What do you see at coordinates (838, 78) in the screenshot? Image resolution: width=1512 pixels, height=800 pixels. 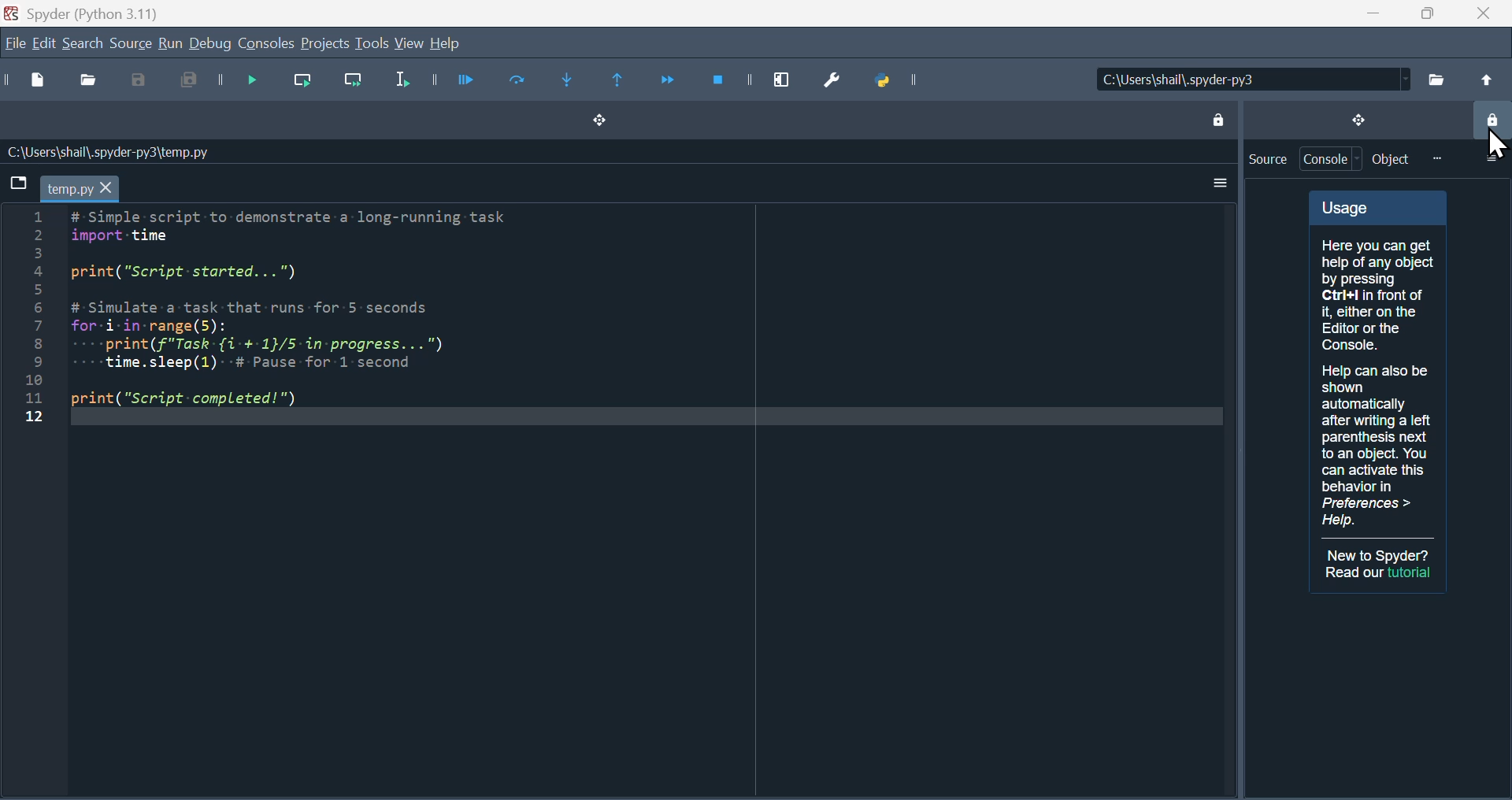 I see `Preferences` at bounding box center [838, 78].